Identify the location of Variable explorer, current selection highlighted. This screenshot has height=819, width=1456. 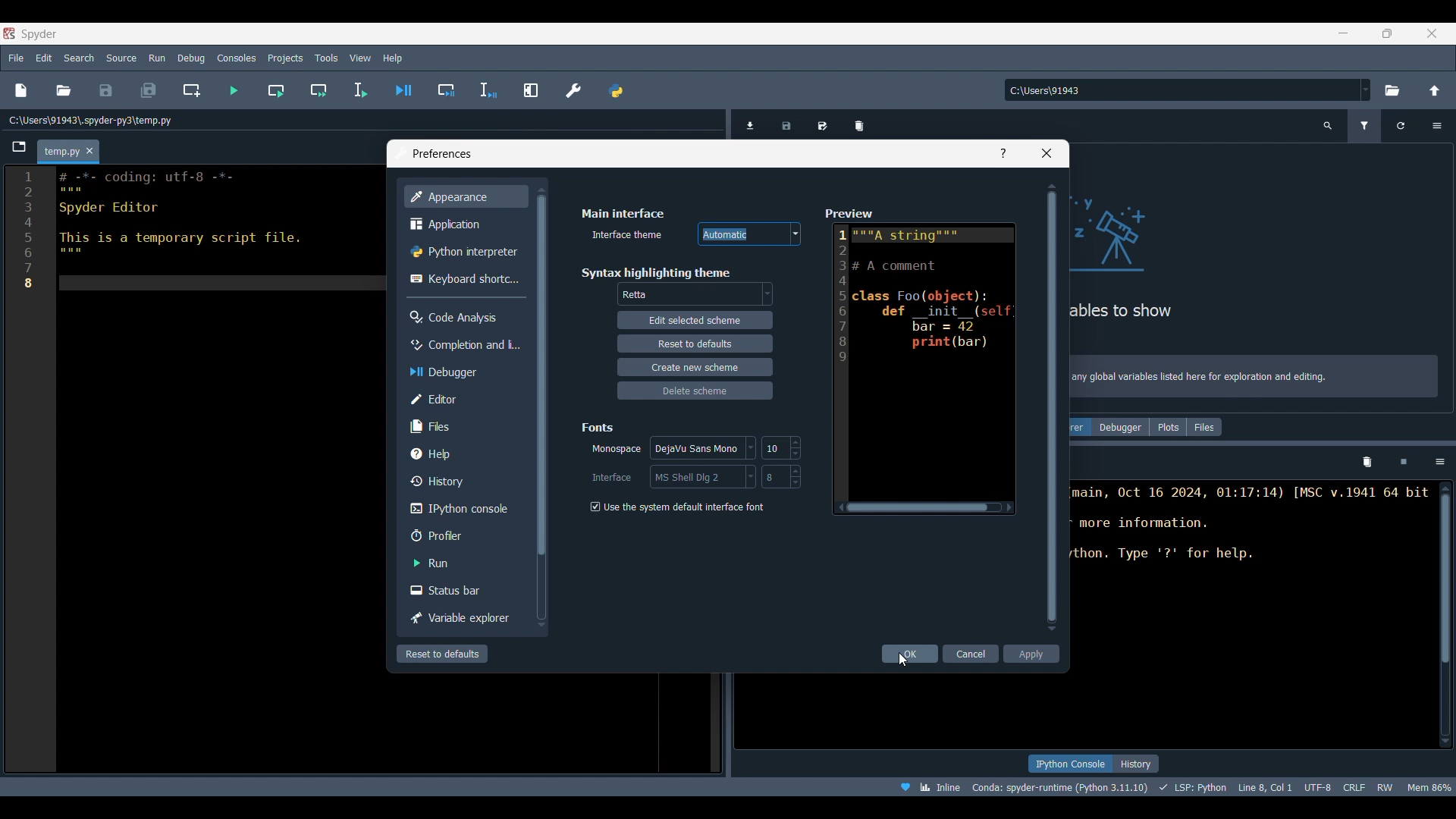
(1081, 427).